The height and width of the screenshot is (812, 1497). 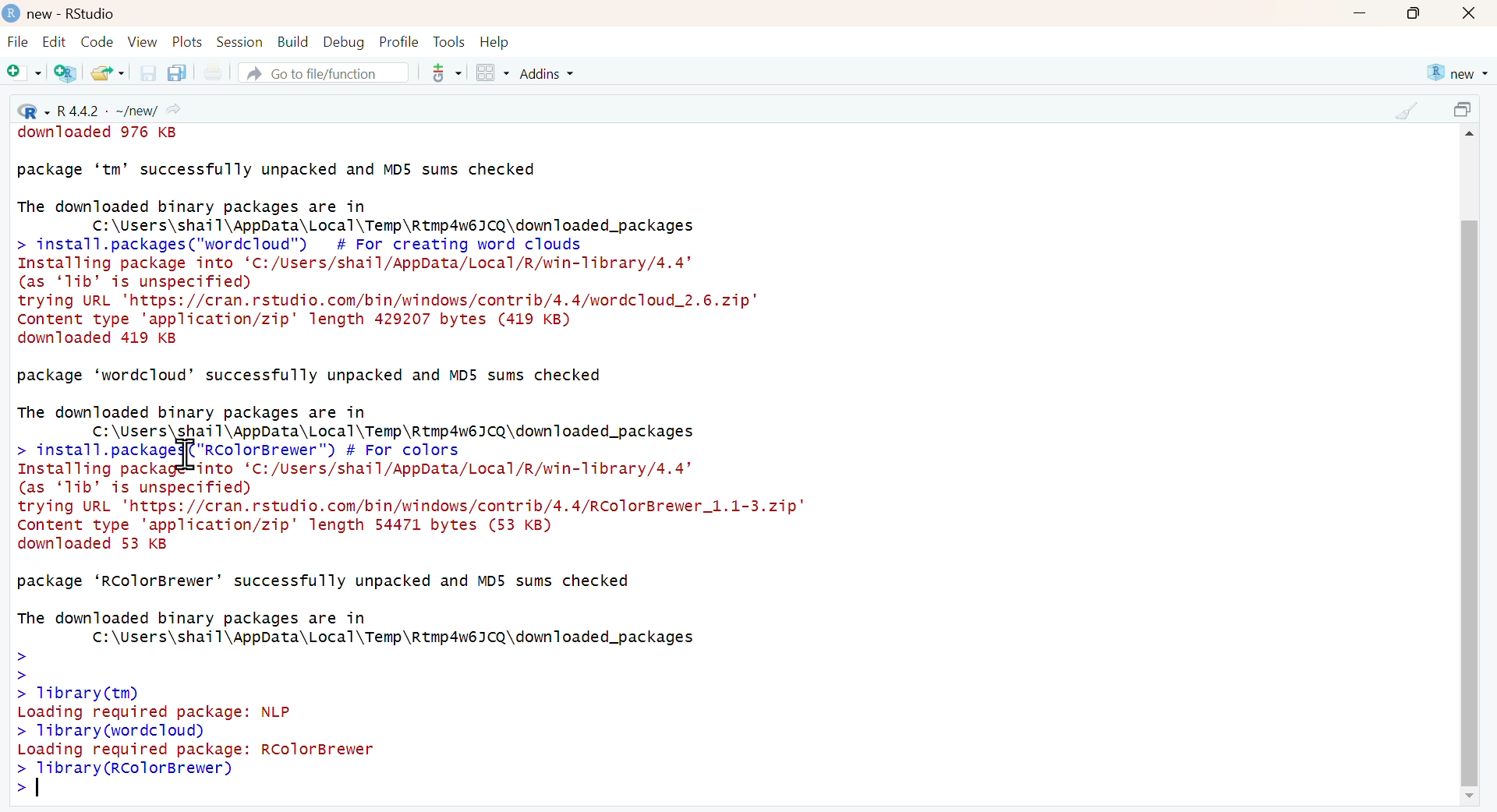 I want to click on View, so click(x=145, y=42).